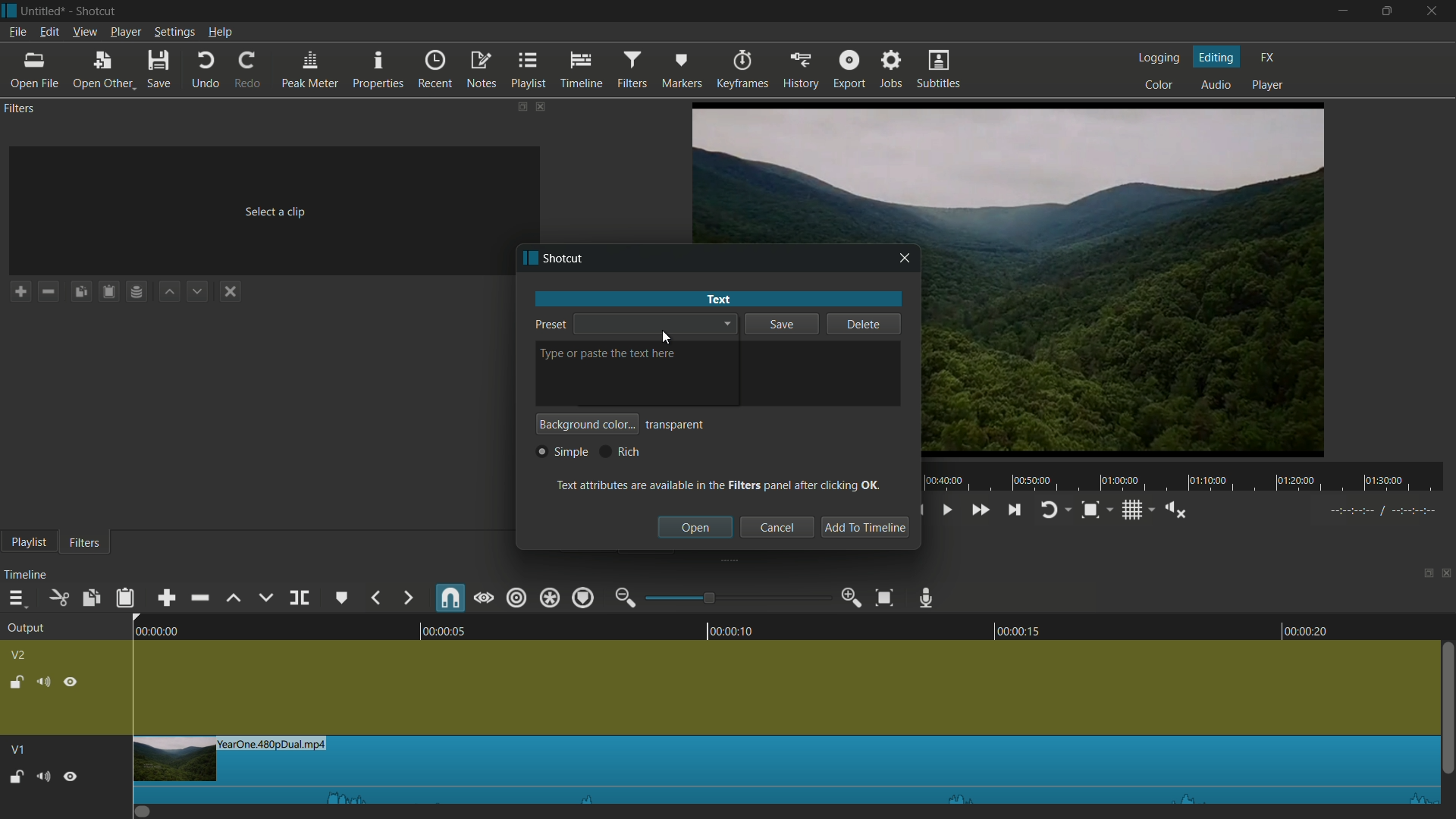  Describe the element at coordinates (696, 527) in the screenshot. I see `open` at that location.